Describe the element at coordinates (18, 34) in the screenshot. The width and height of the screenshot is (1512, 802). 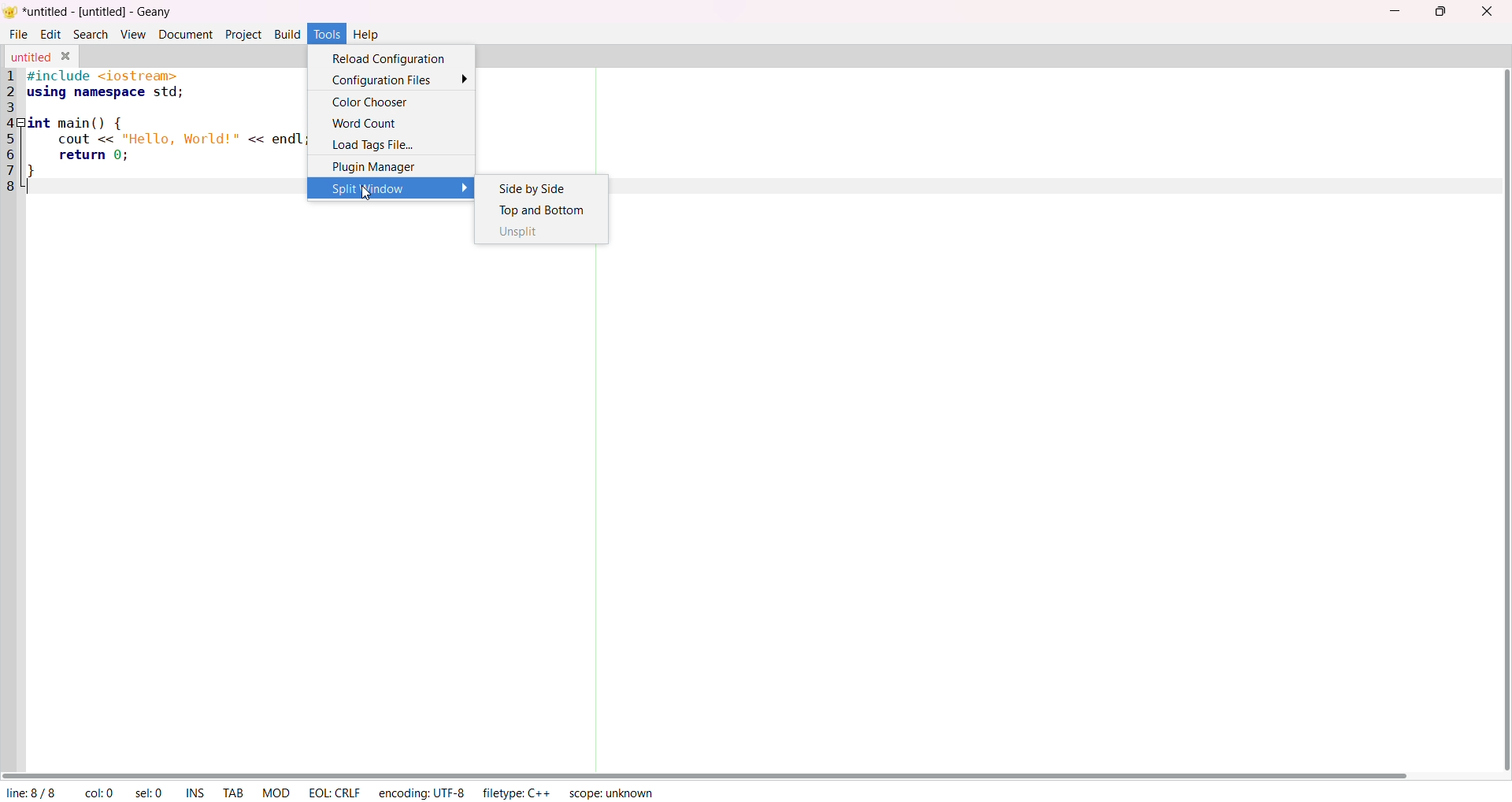
I see `File` at that location.